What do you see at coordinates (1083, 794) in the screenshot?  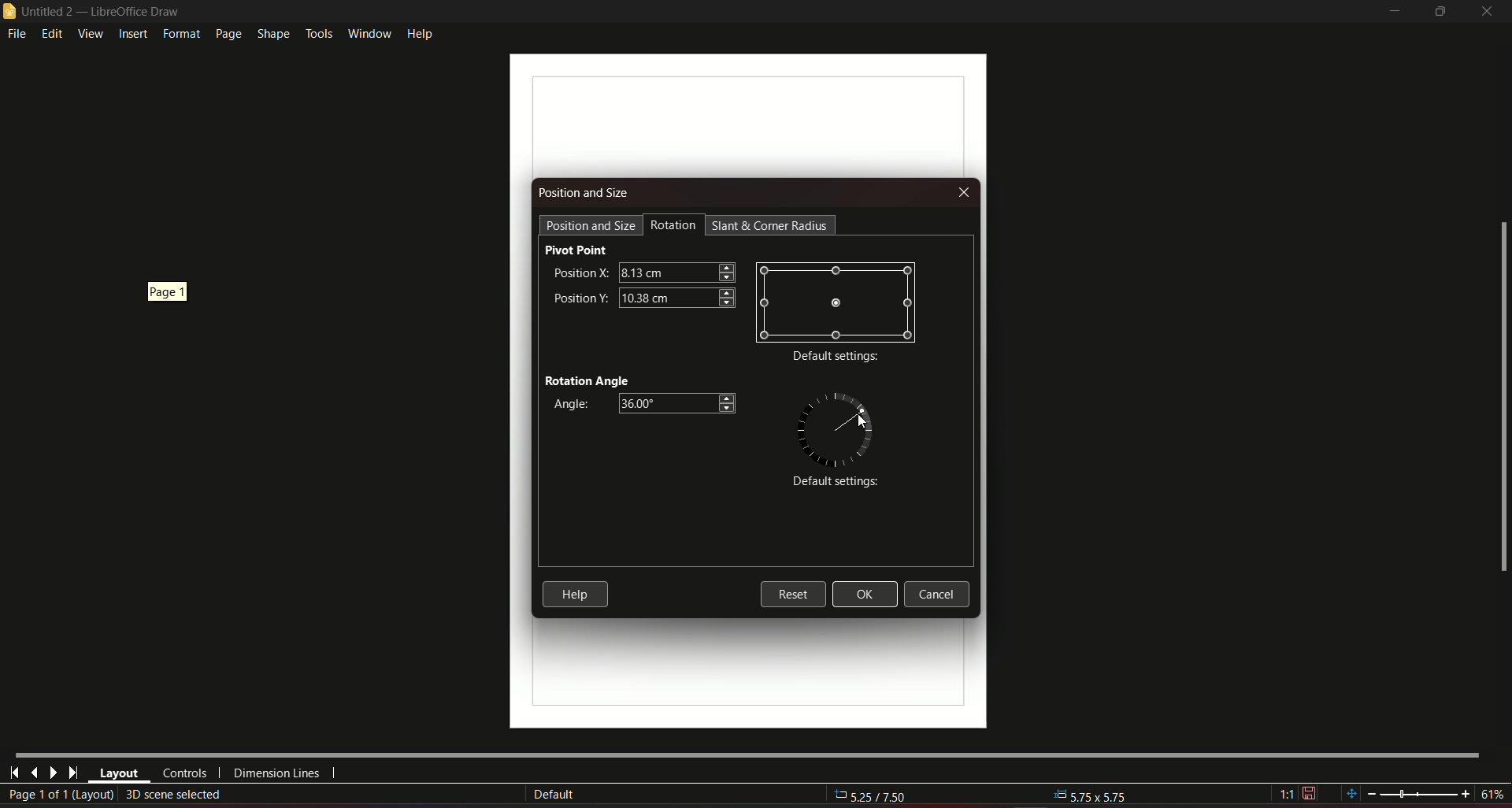 I see `5.75x5.75` at bounding box center [1083, 794].